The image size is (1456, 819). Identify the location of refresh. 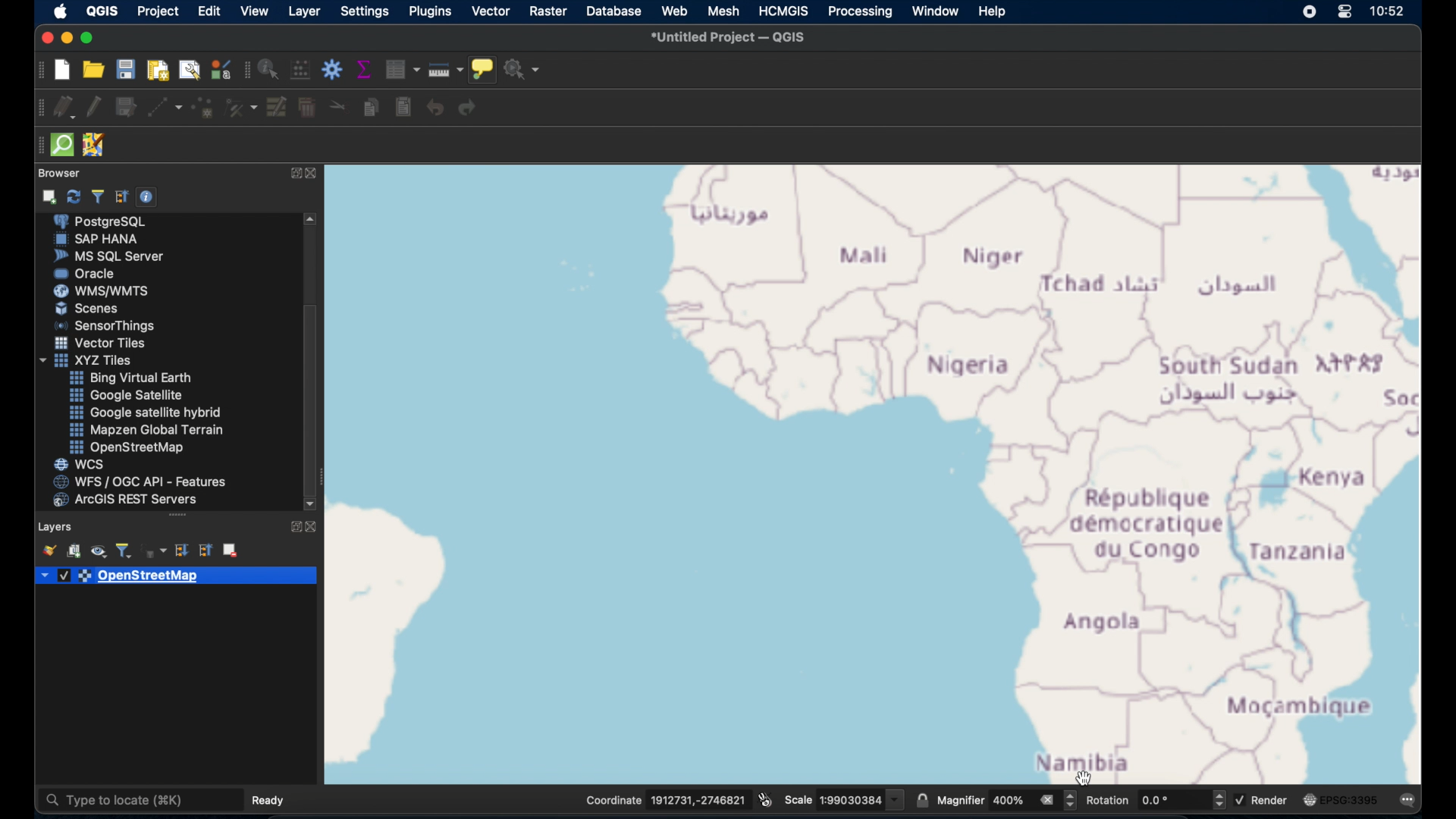
(74, 198).